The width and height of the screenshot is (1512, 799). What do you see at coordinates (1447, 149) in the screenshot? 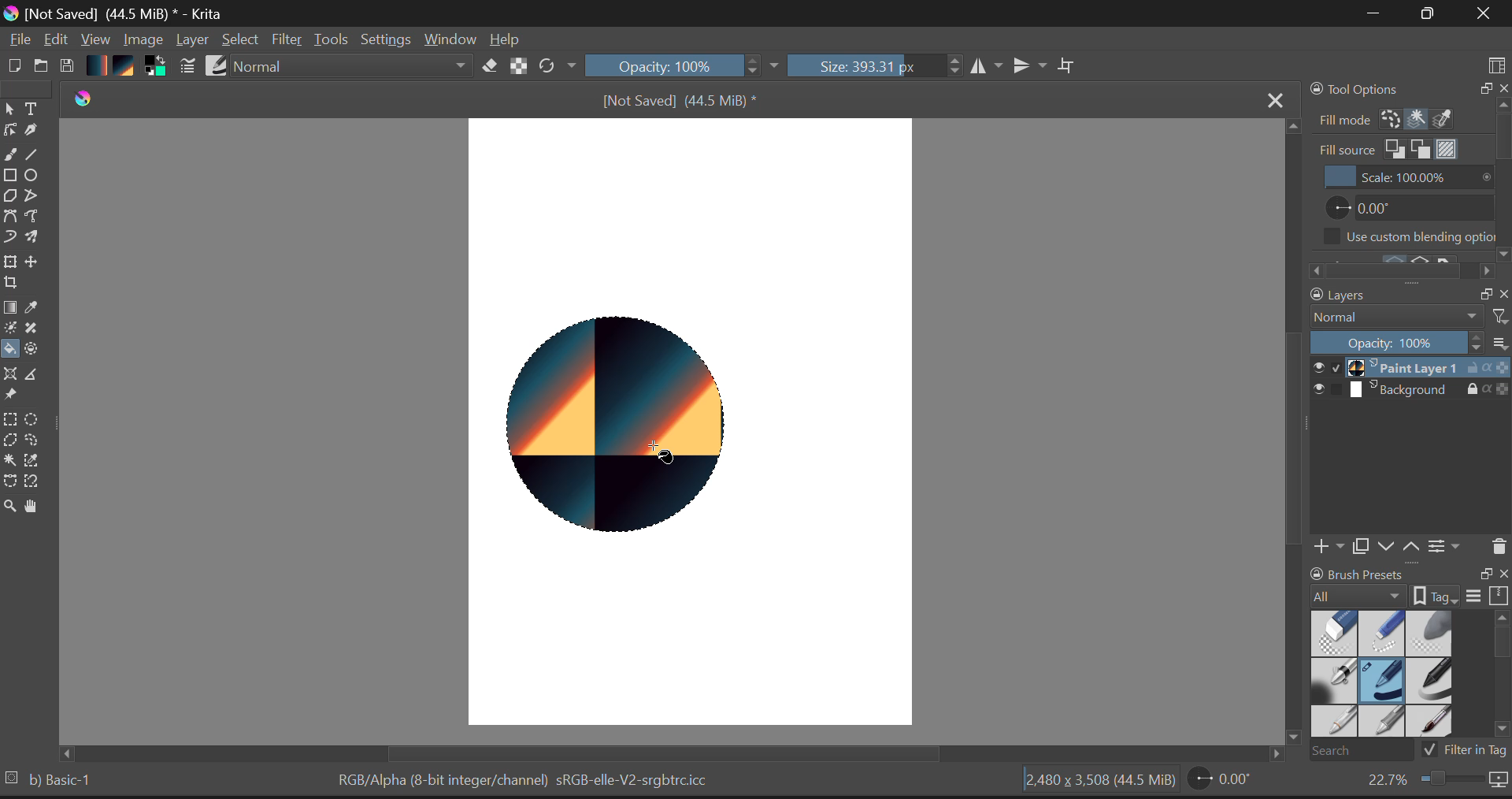
I see `Fill Source Pattern Selected` at bounding box center [1447, 149].